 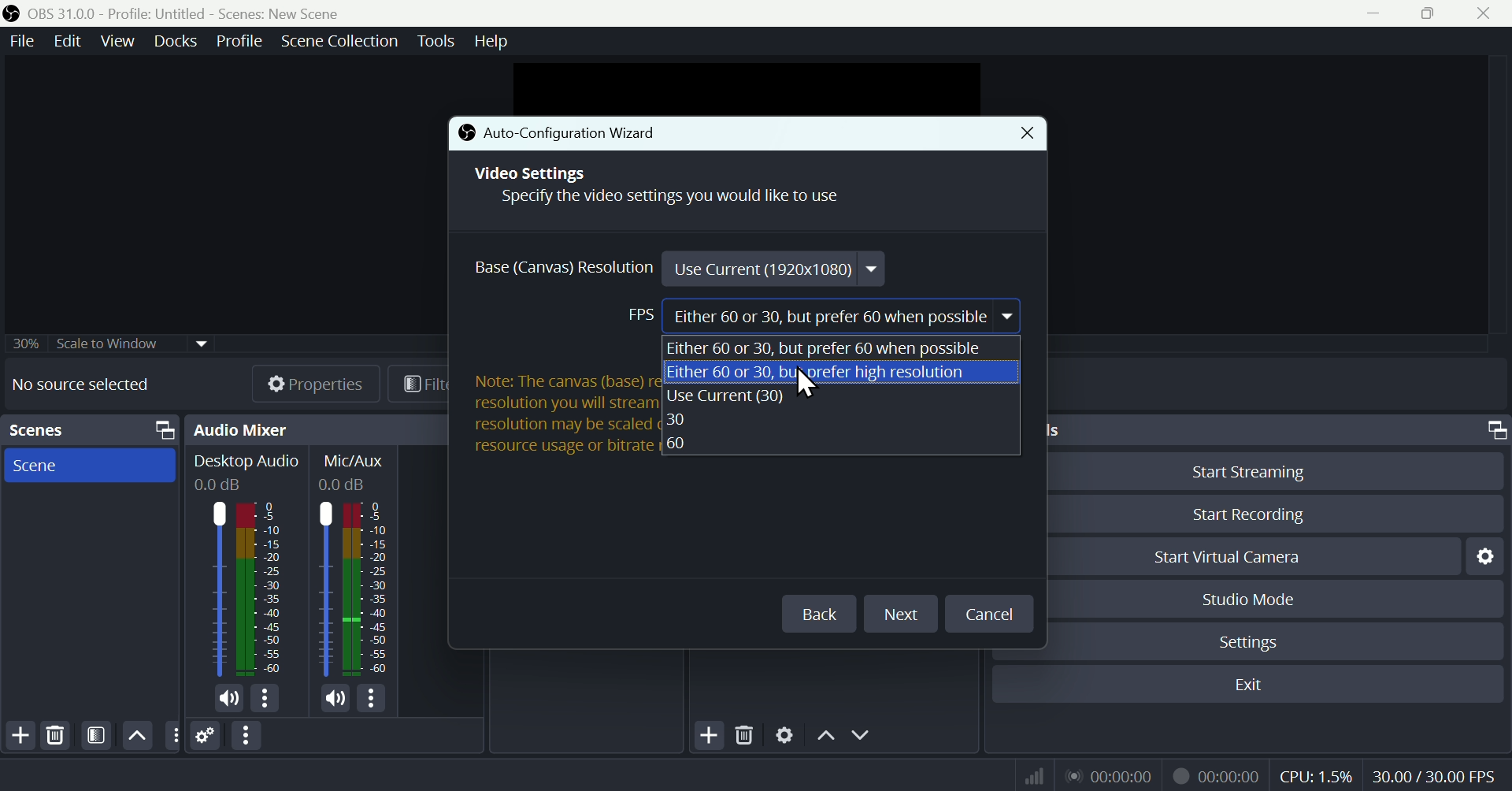 What do you see at coordinates (840, 347) in the screenshot?
I see `Either 60 or 30, but prefer 60 when possible` at bounding box center [840, 347].